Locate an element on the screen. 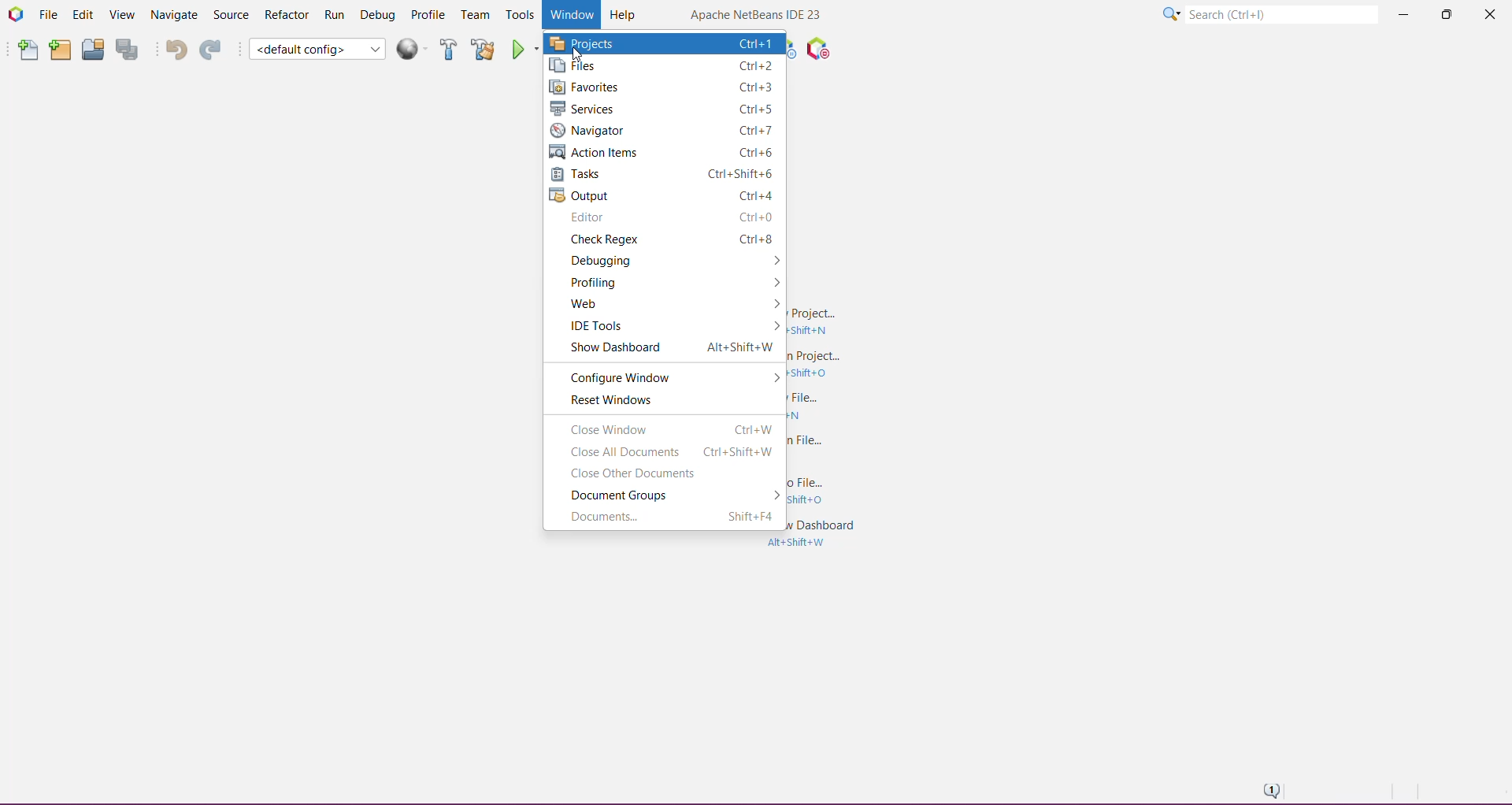  Set Project Configuration is located at coordinates (317, 49).